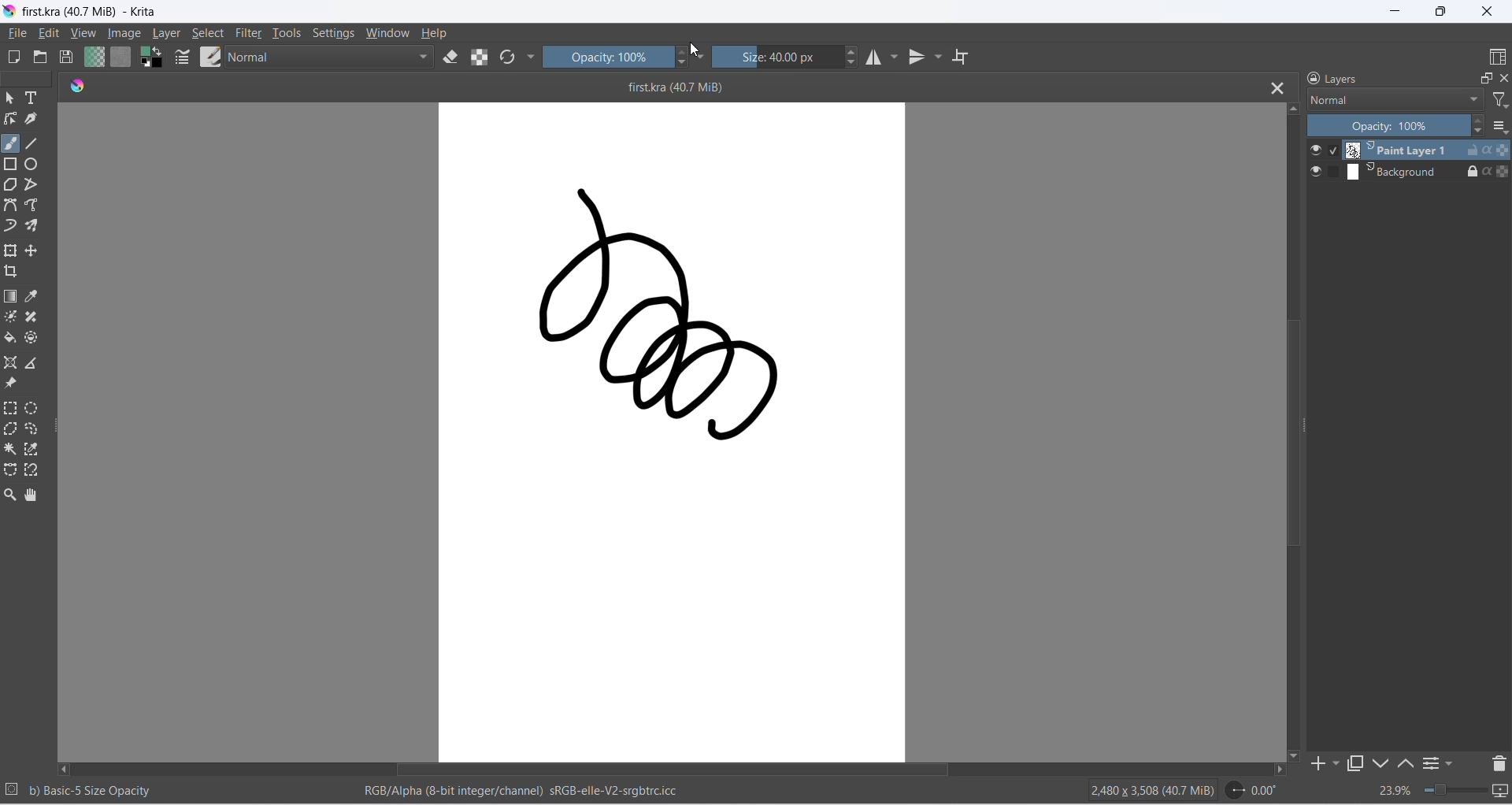  What do you see at coordinates (1501, 100) in the screenshot?
I see `layer filter` at bounding box center [1501, 100].